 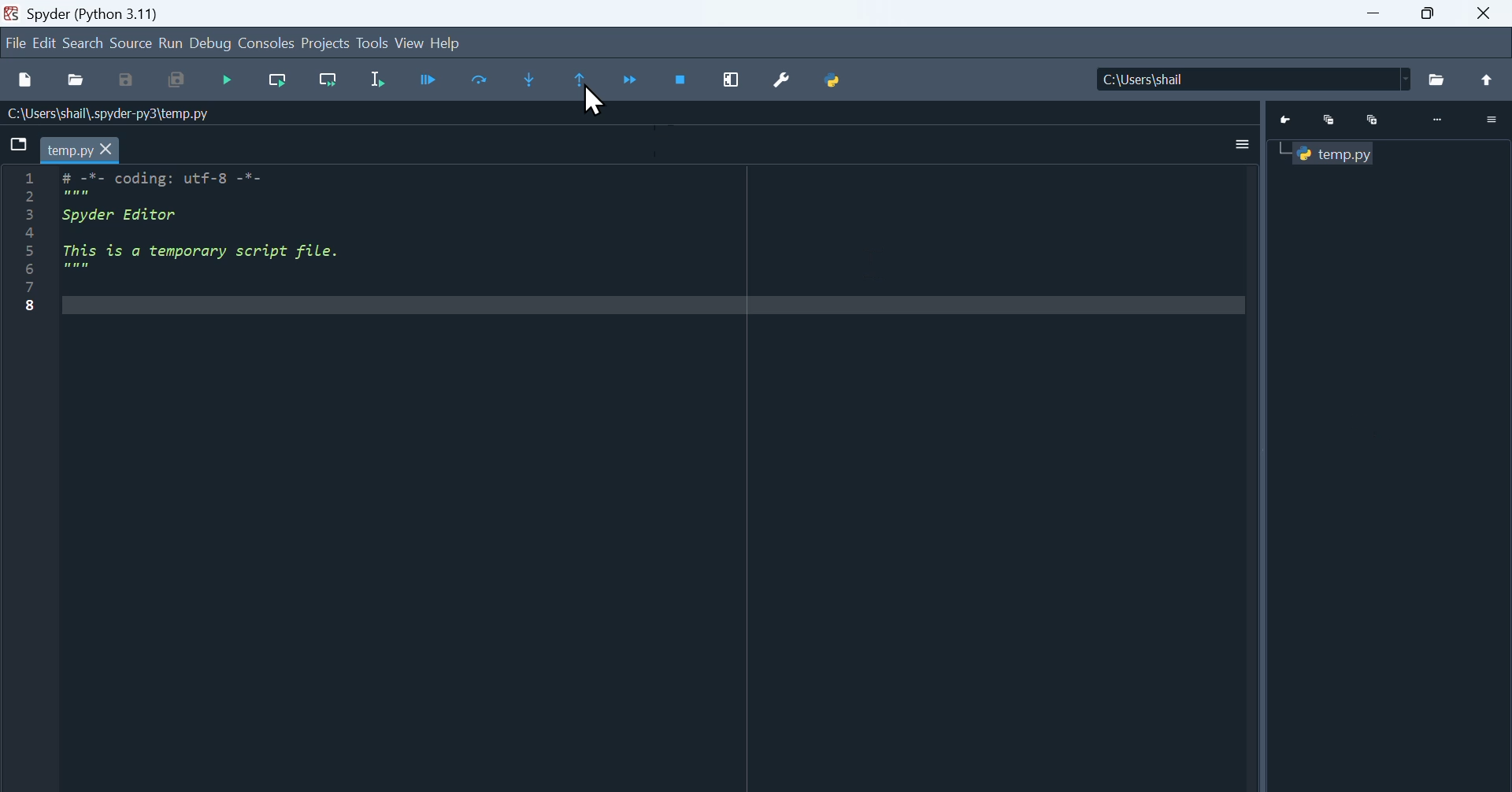 I want to click on Save all, so click(x=176, y=80).